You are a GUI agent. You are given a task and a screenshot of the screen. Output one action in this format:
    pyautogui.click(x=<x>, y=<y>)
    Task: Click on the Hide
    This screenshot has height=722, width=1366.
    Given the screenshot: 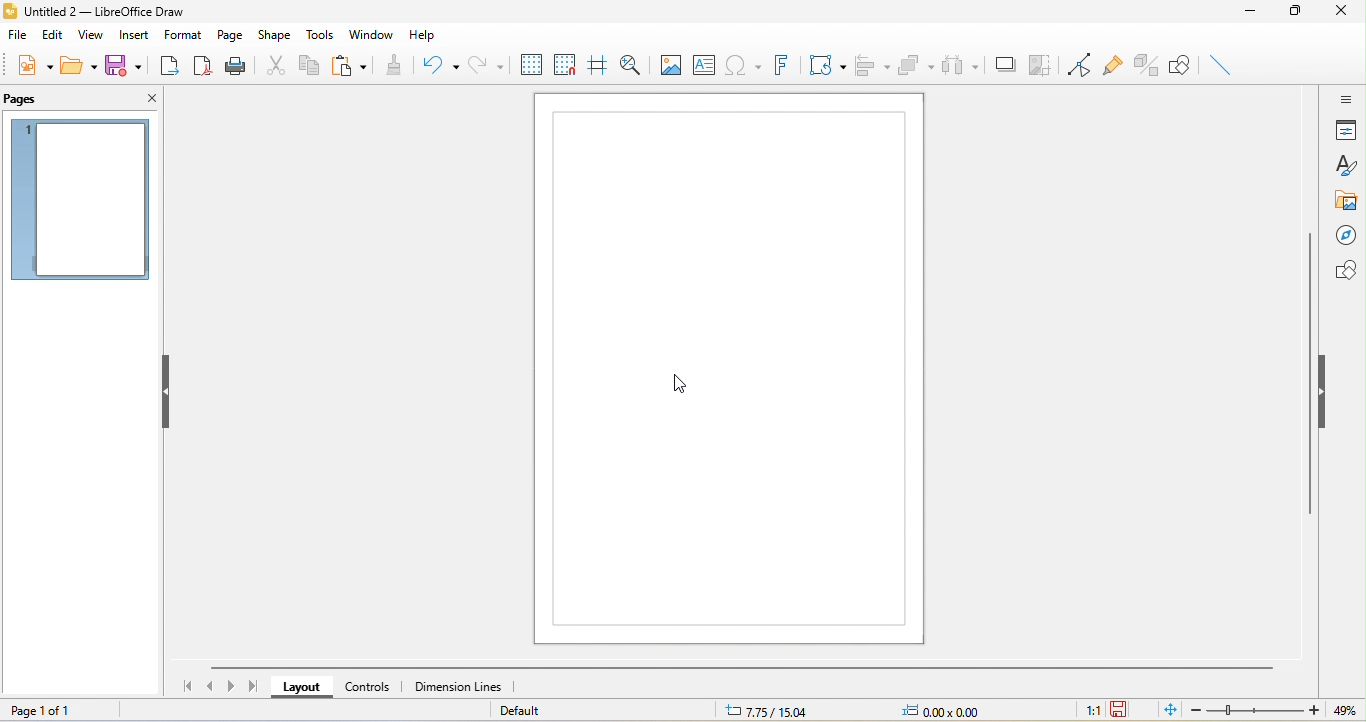 What is the action you would take?
    pyautogui.click(x=172, y=392)
    